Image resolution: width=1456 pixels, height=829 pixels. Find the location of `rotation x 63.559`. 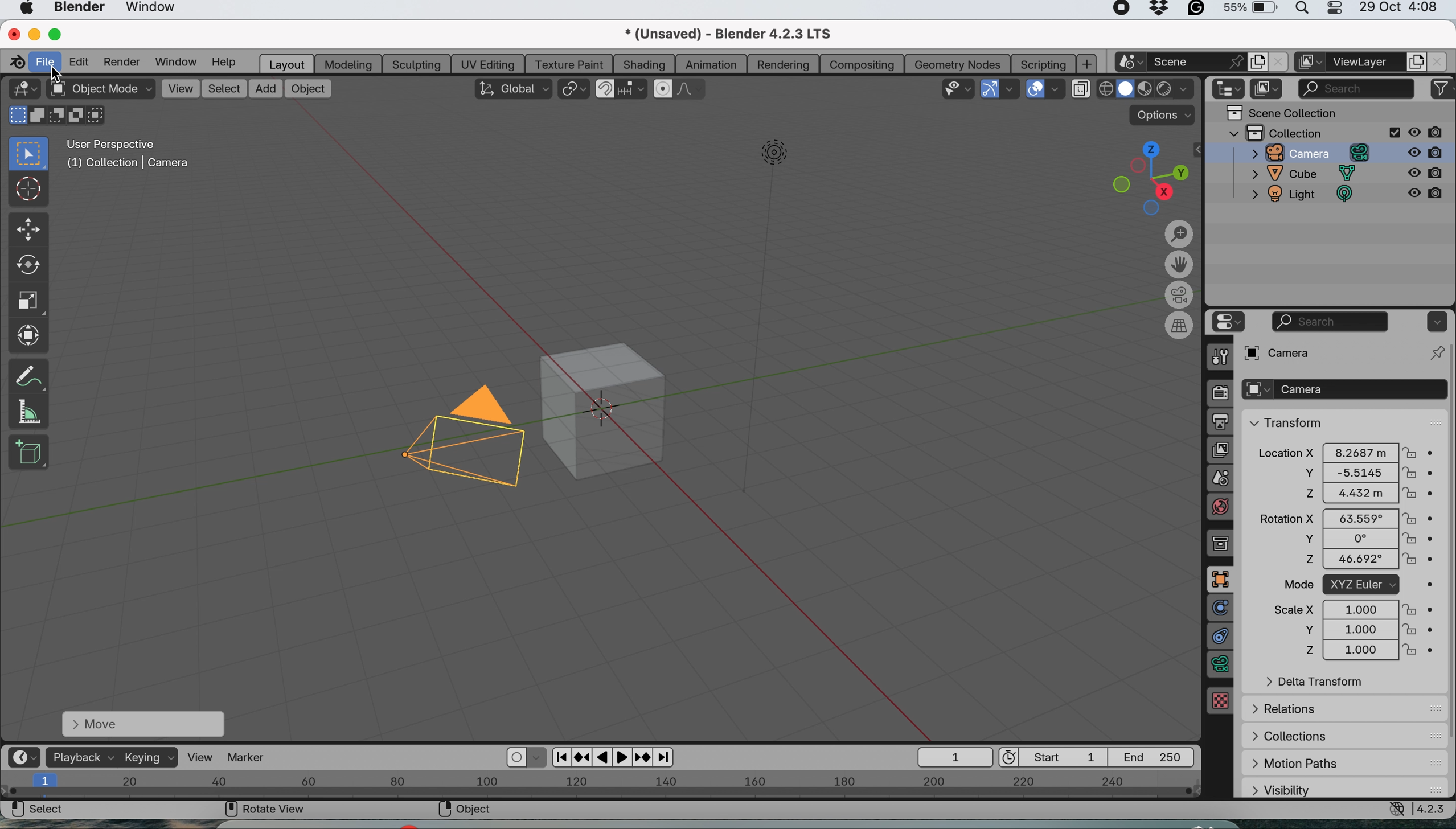

rotation x 63.559 is located at coordinates (1347, 517).